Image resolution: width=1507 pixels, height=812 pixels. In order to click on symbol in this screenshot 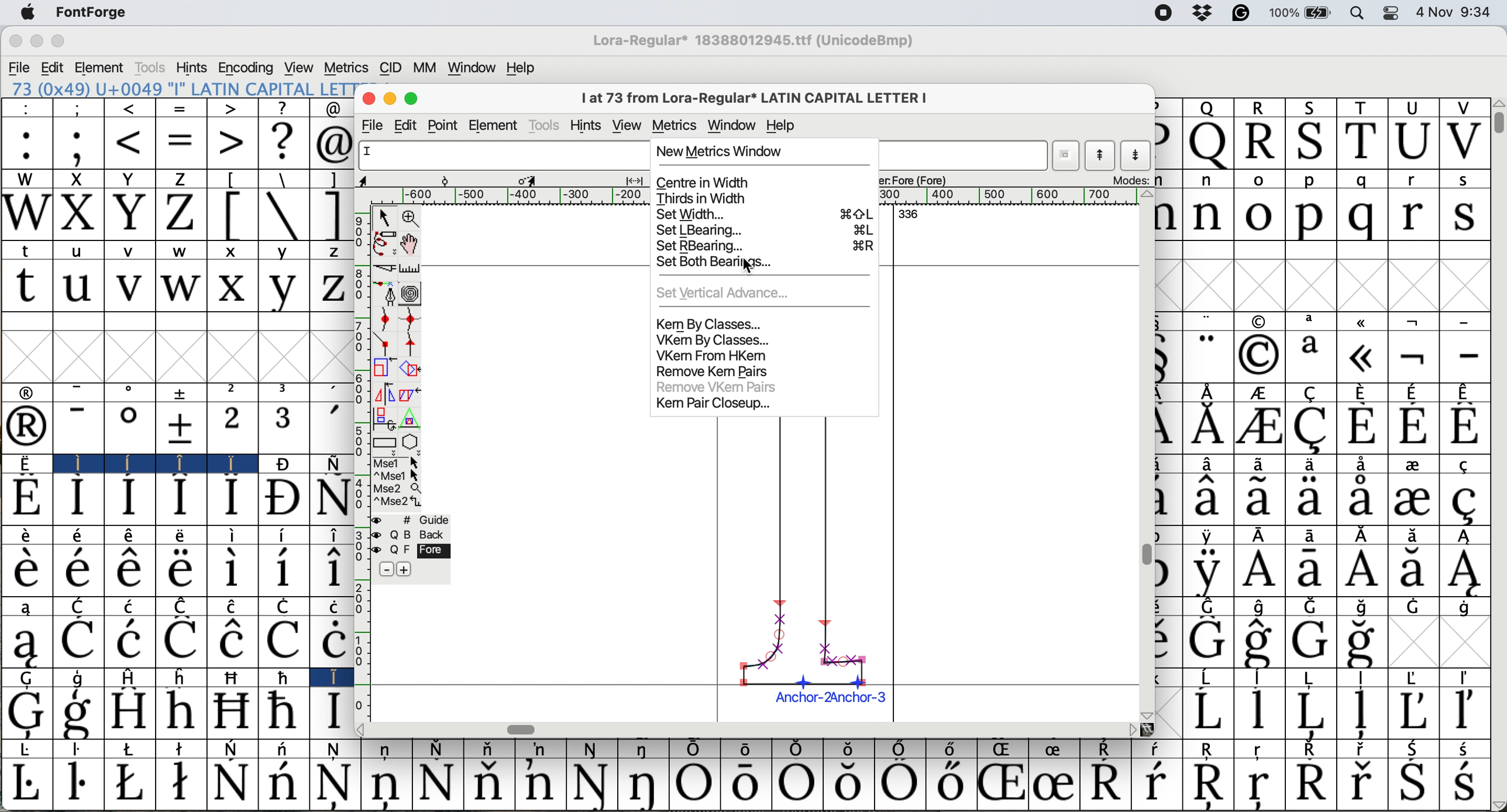, I will do `click(1259, 321)`.